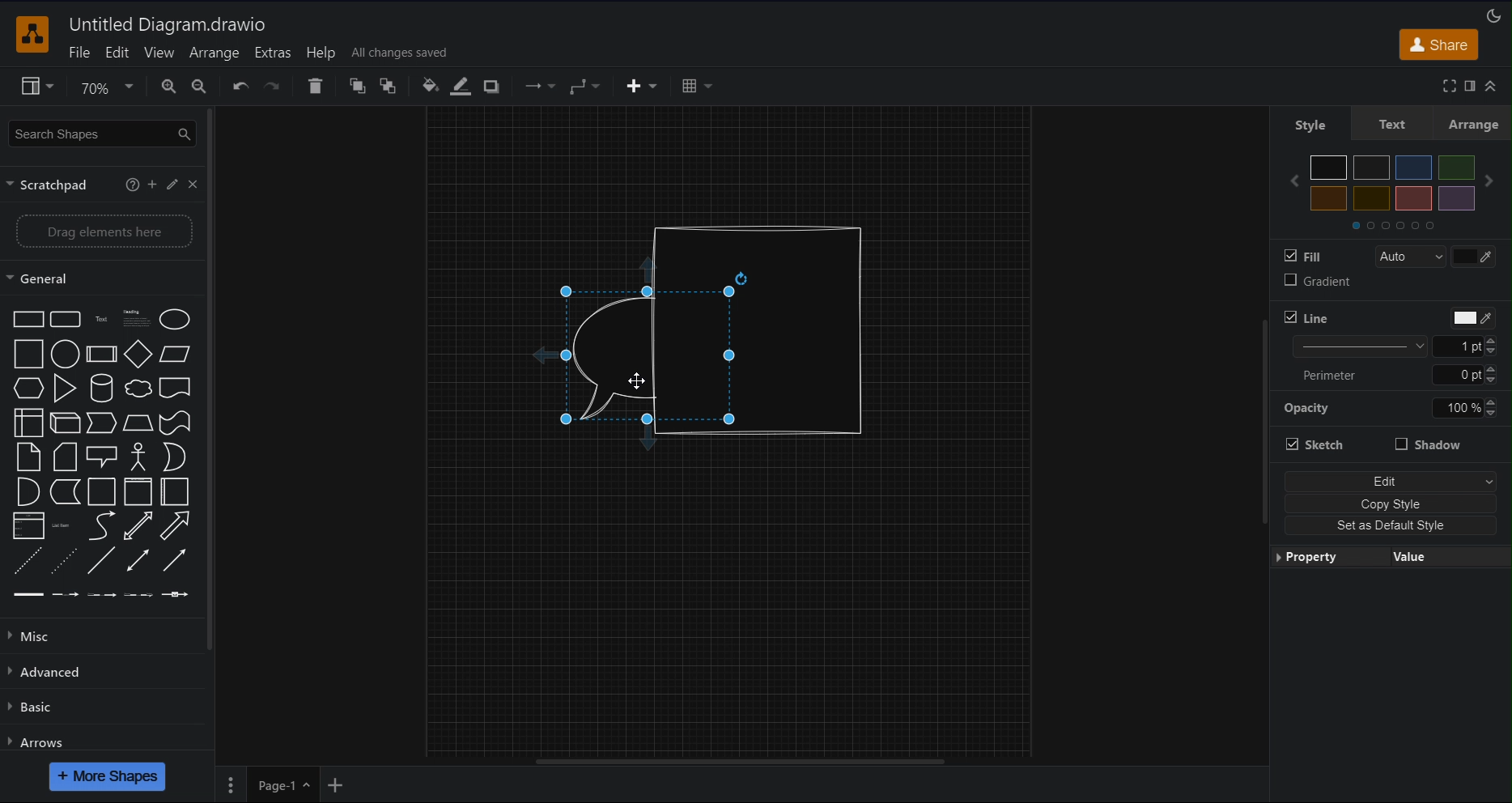 The image size is (1512, 803). I want to click on Ellipse, so click(175, 320).